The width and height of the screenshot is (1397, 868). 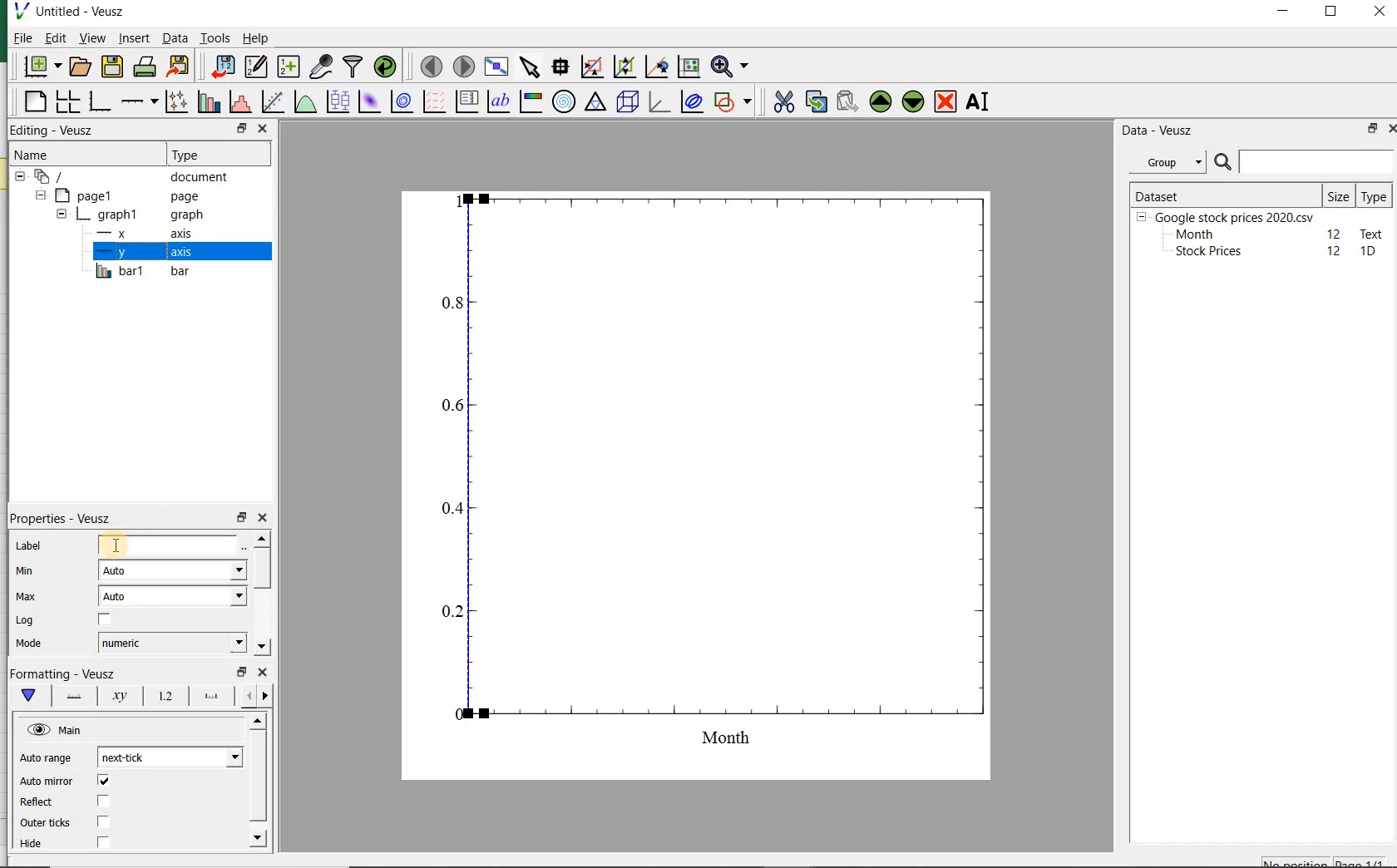 What do you see at coordinates (628, 103) in the screenshot?
I see `3d scene` at bounding box center [628, 103].